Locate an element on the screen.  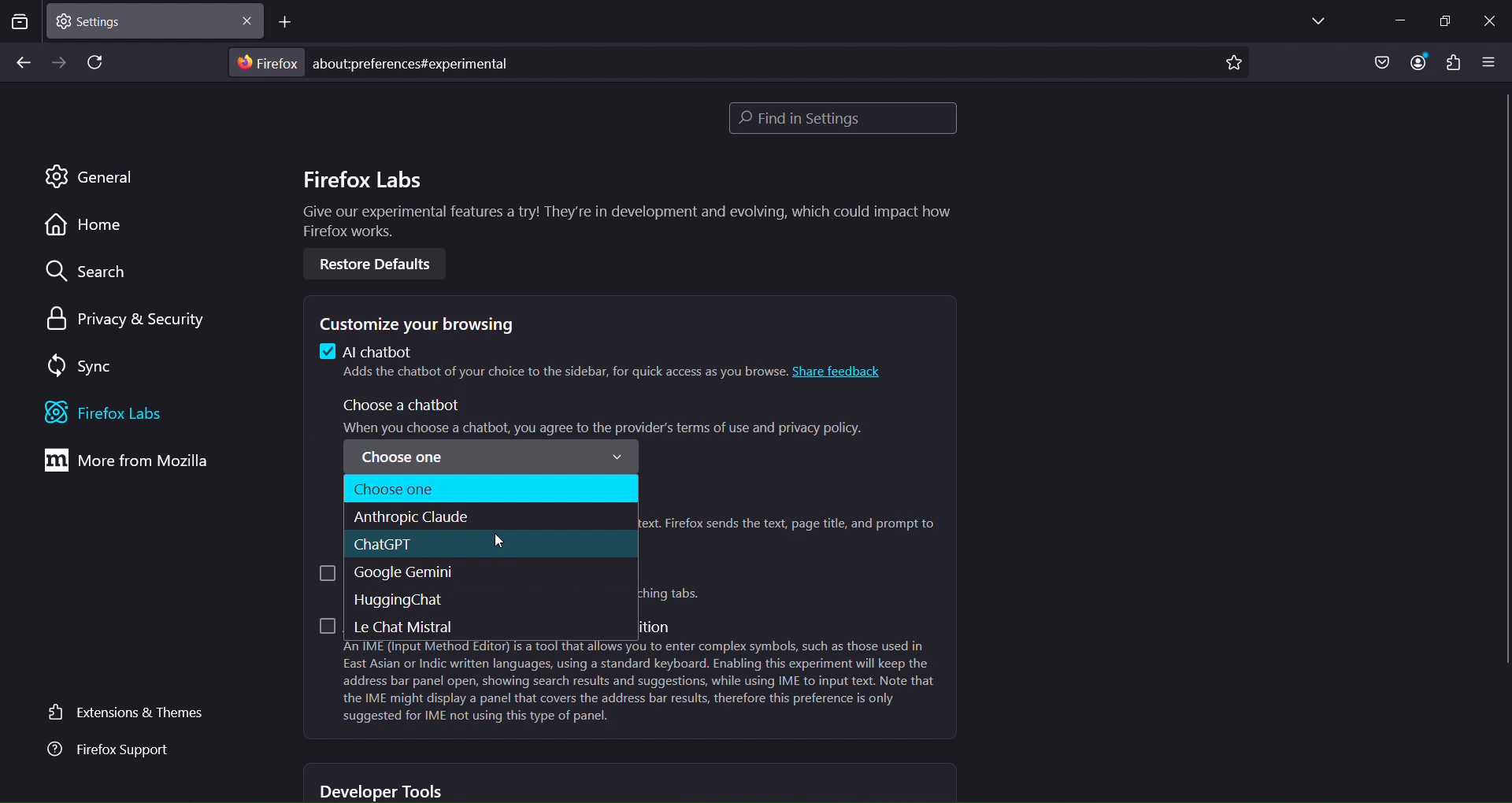
customize your browsing is located at coordinates (427, 324).